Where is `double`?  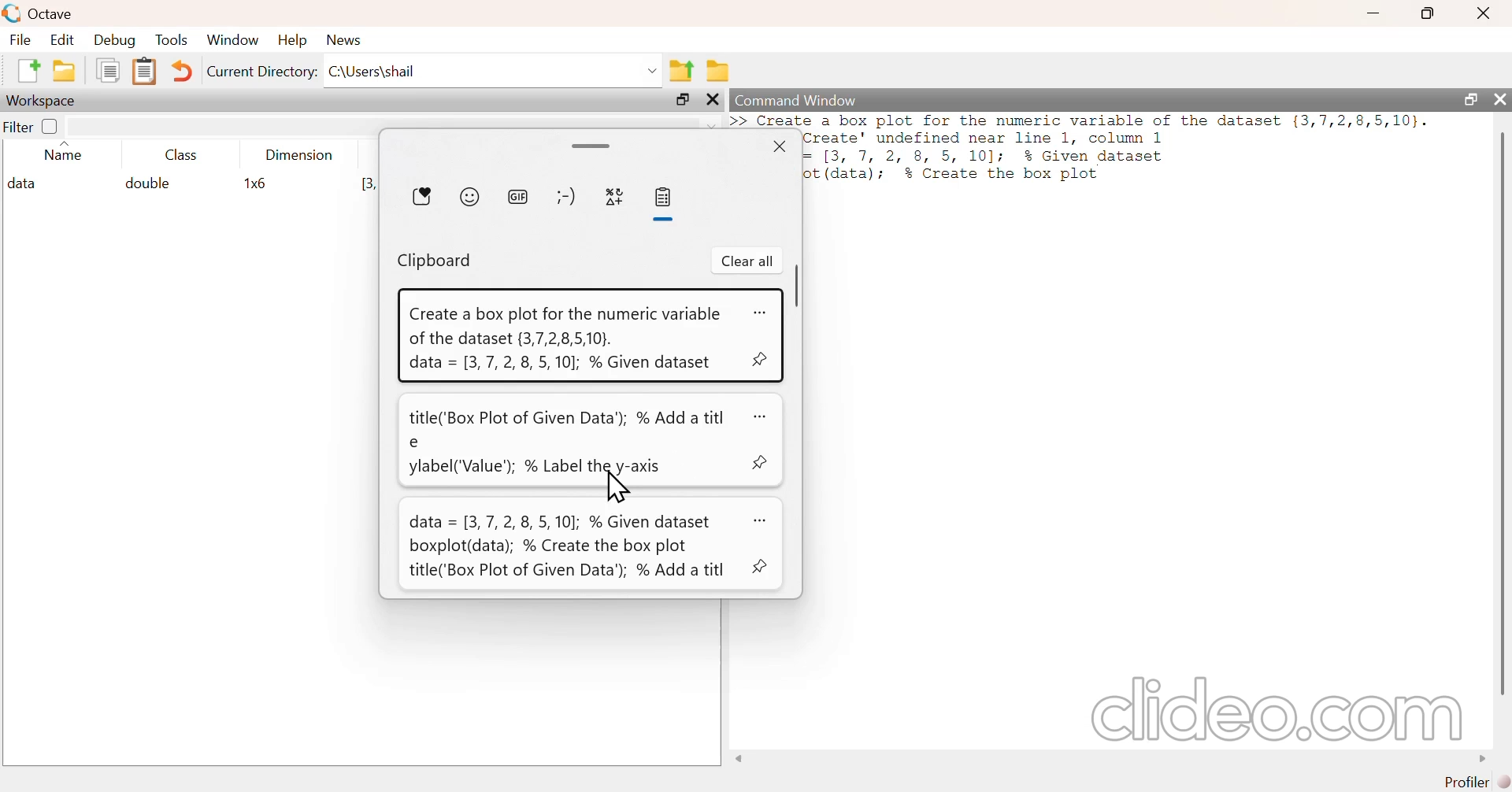 double is located at coordinates (150, 183).